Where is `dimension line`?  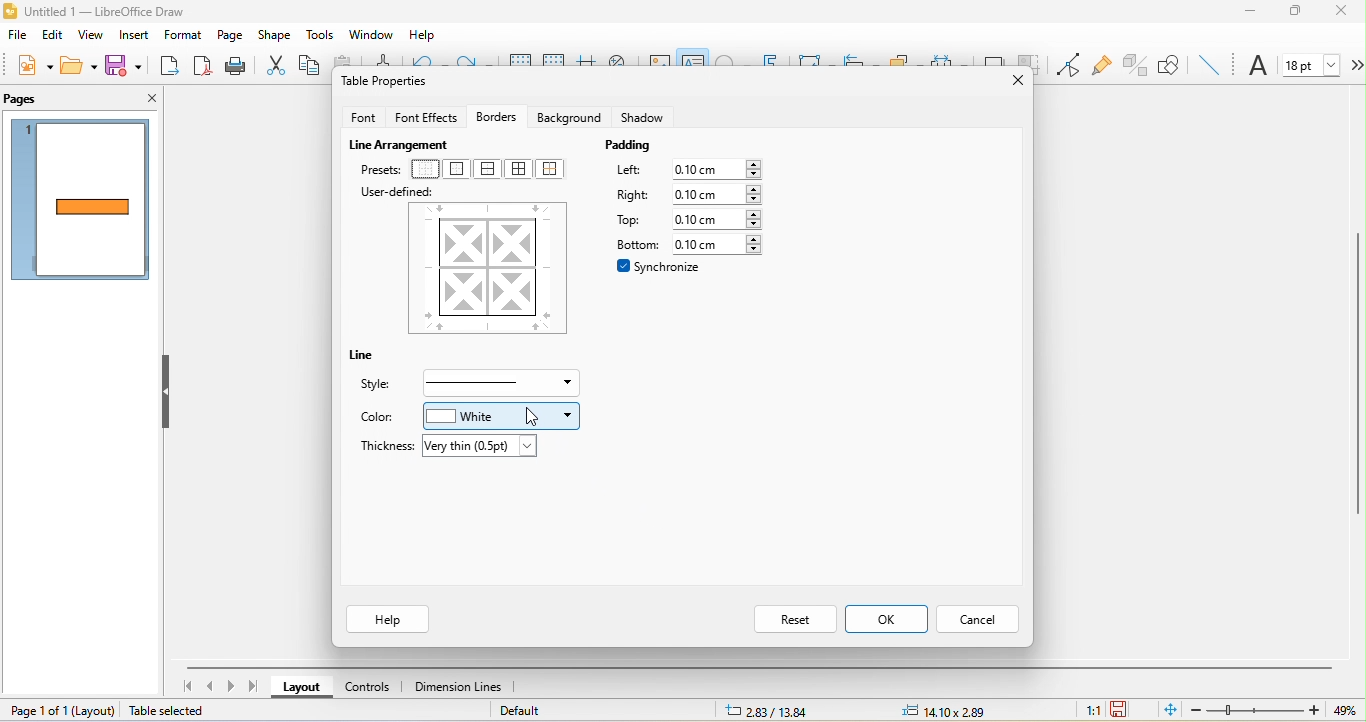 dimension line is located at coordinates (457, 685).